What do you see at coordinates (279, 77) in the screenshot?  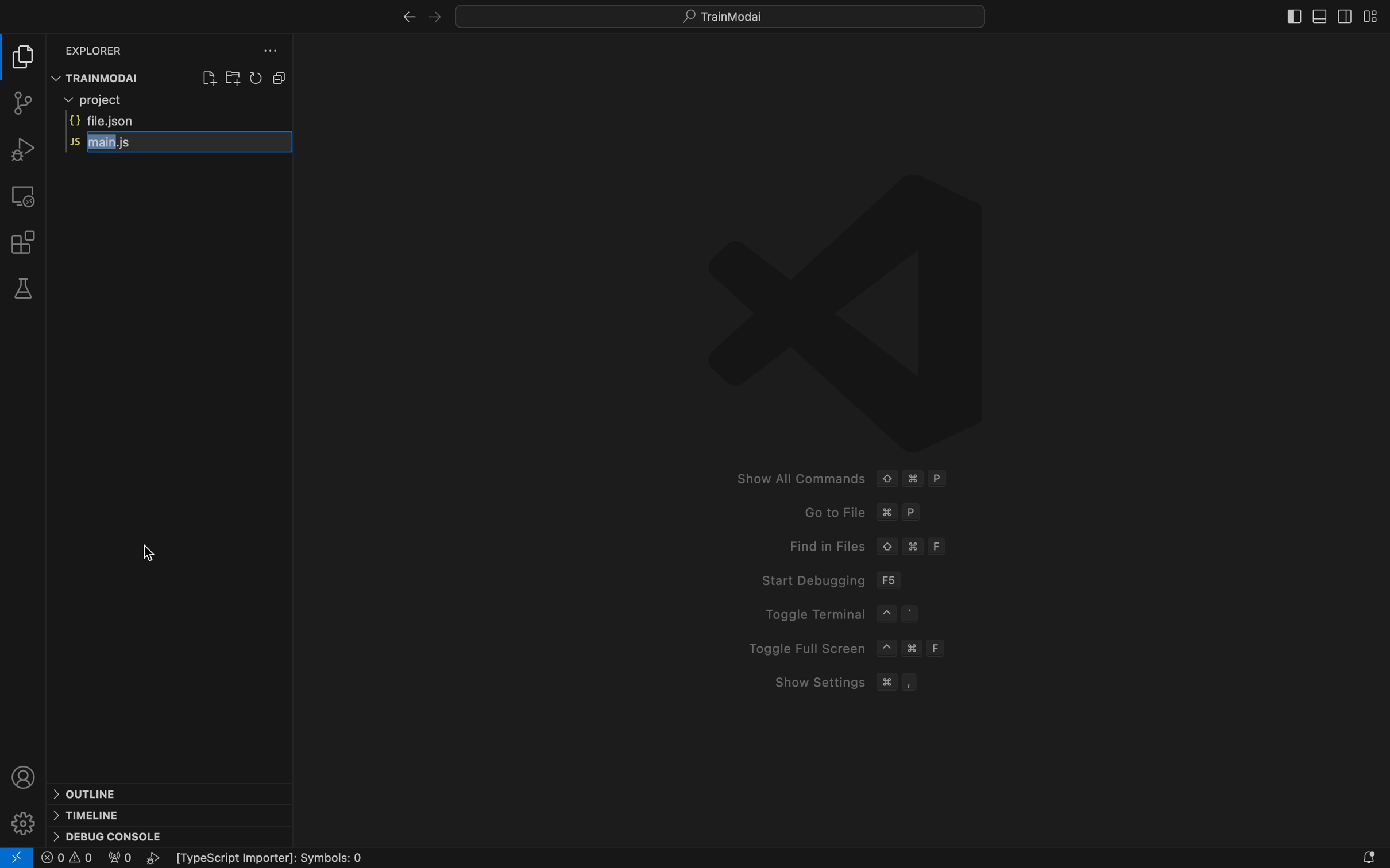 I see `` at bounding box center [279, 77].